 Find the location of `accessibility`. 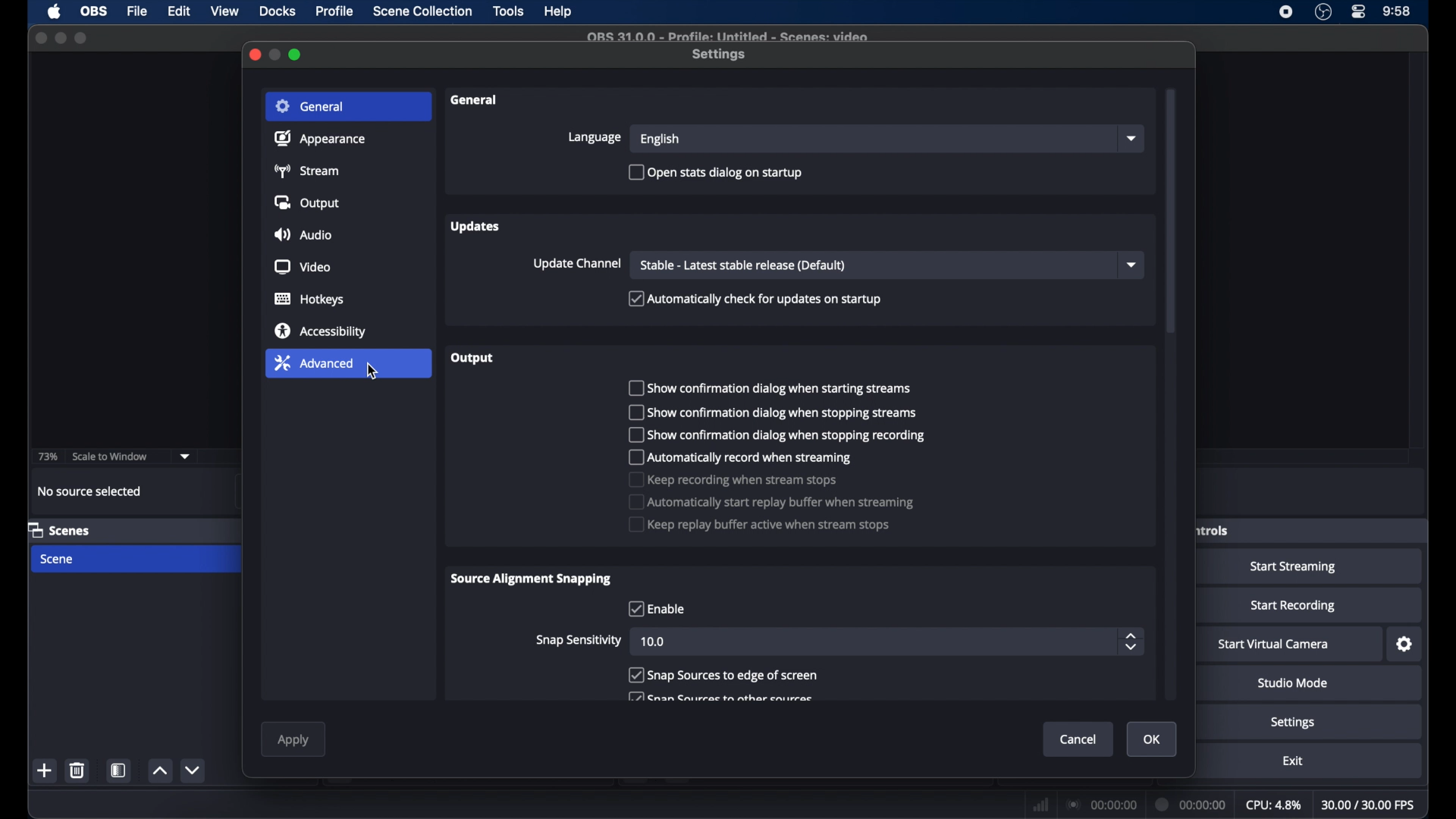

accessibility is located at coordinates (319, 331).